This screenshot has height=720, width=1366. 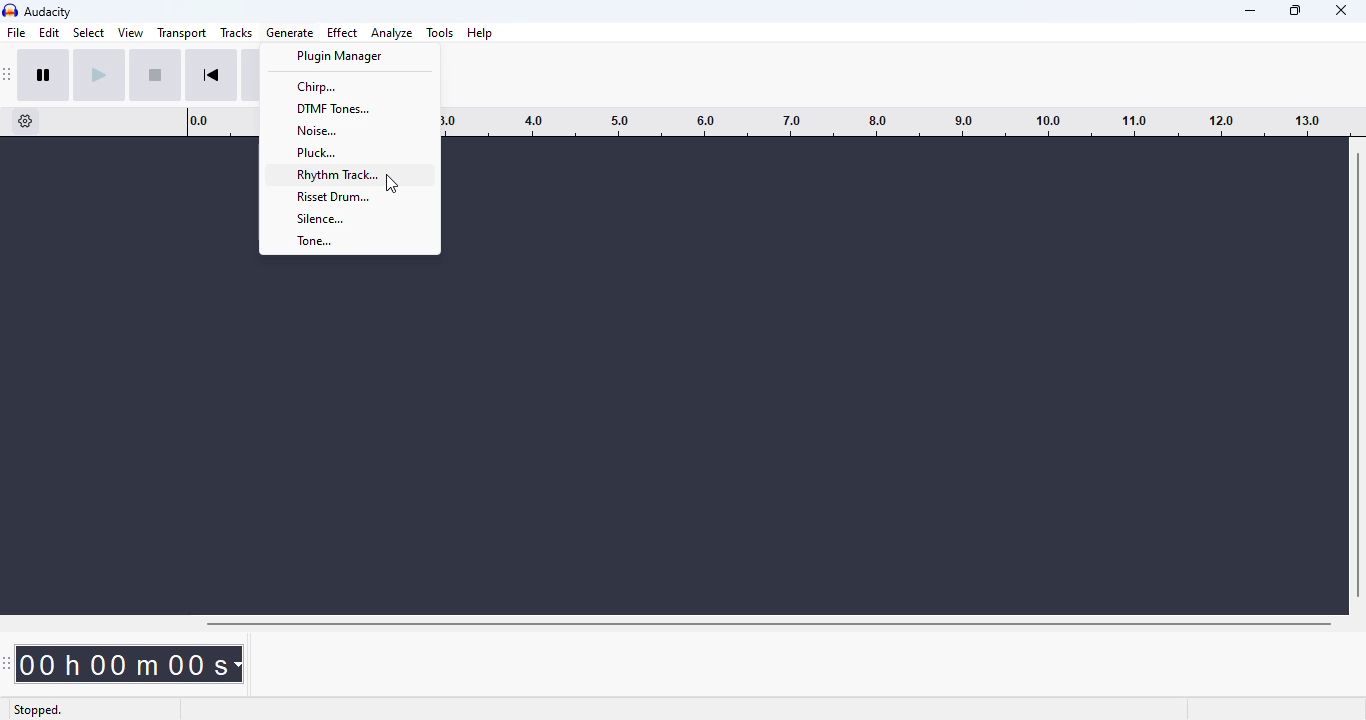 What do you see at coordinates (44, 75) in the screenshot?
I see `pause` at bounding box center [44, 75].